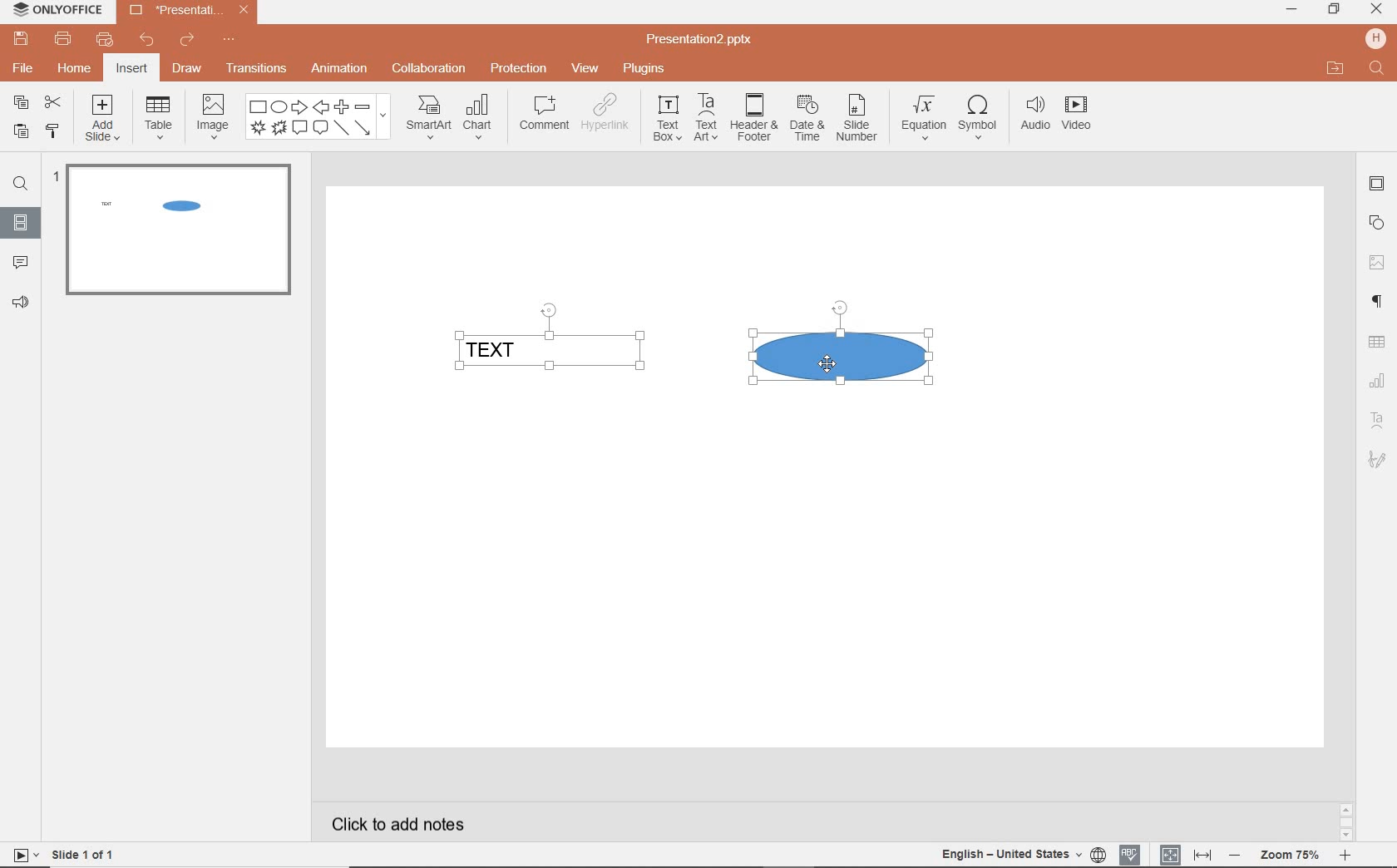 The height and width of the screenshot is (868, 1397). I want to click on SLIDES, so click(22, 221).